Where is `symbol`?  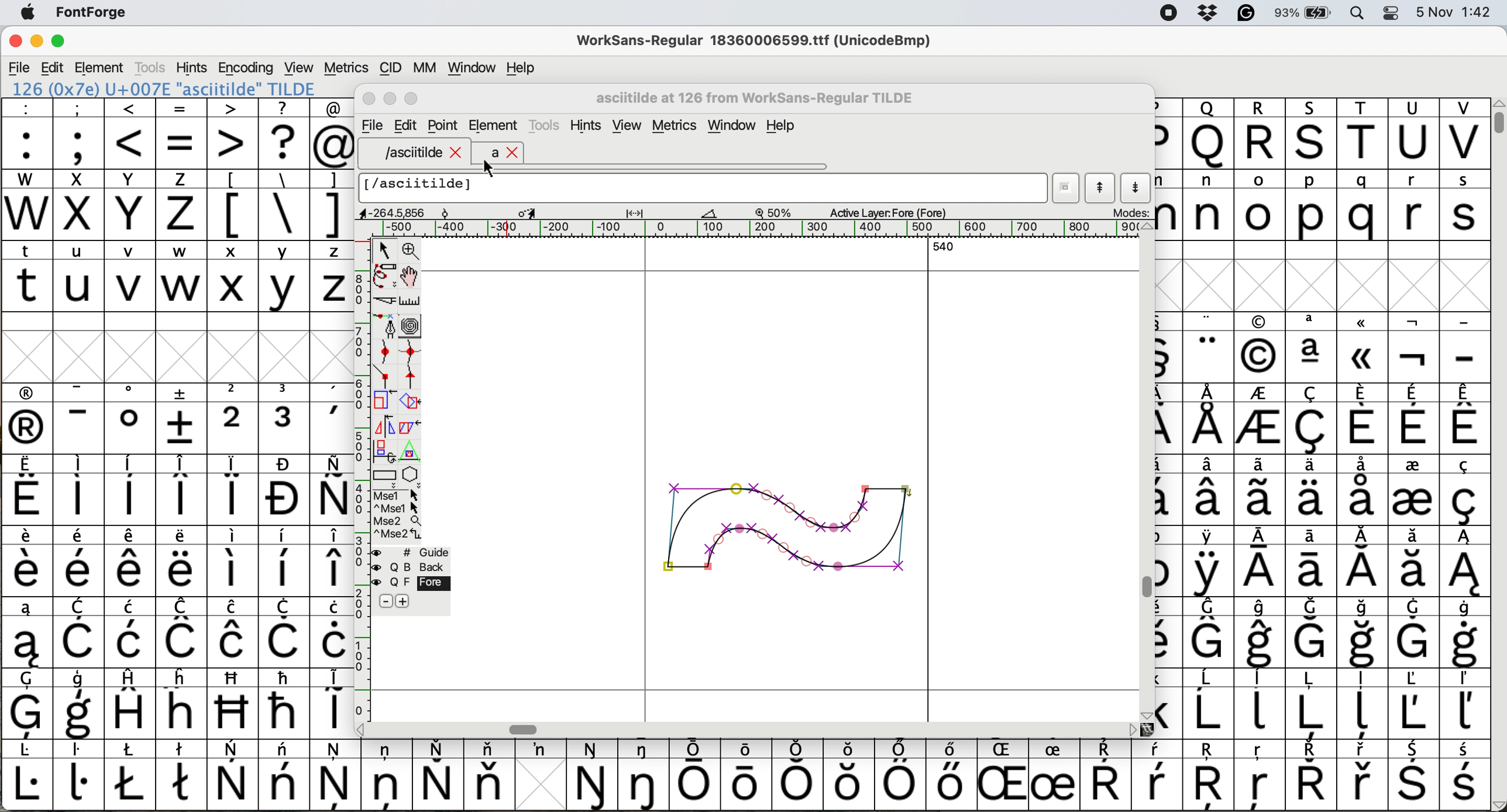
symbol is located at coordinates (1365, 634).